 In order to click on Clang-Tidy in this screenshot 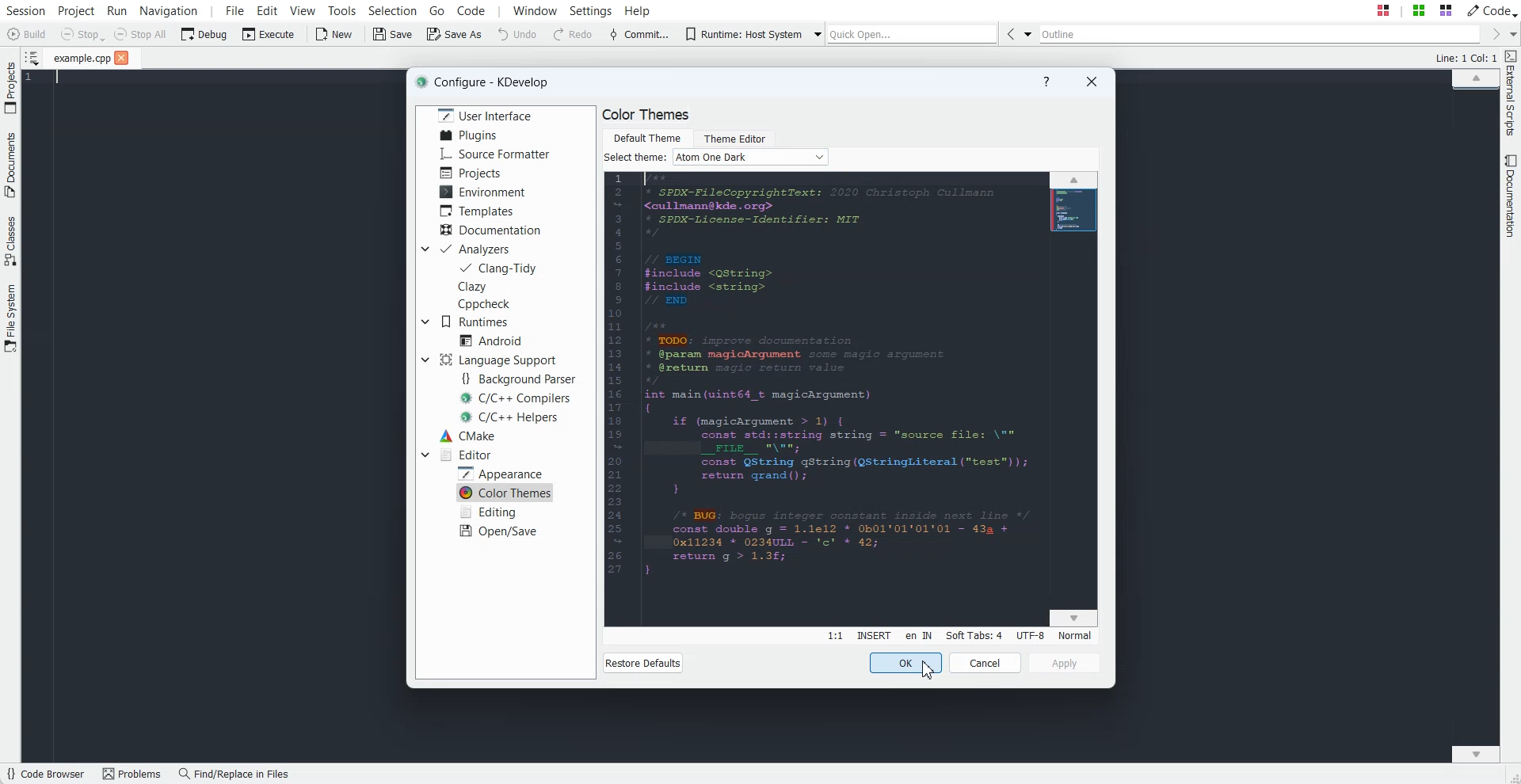, I will do `click(499, 268)`.